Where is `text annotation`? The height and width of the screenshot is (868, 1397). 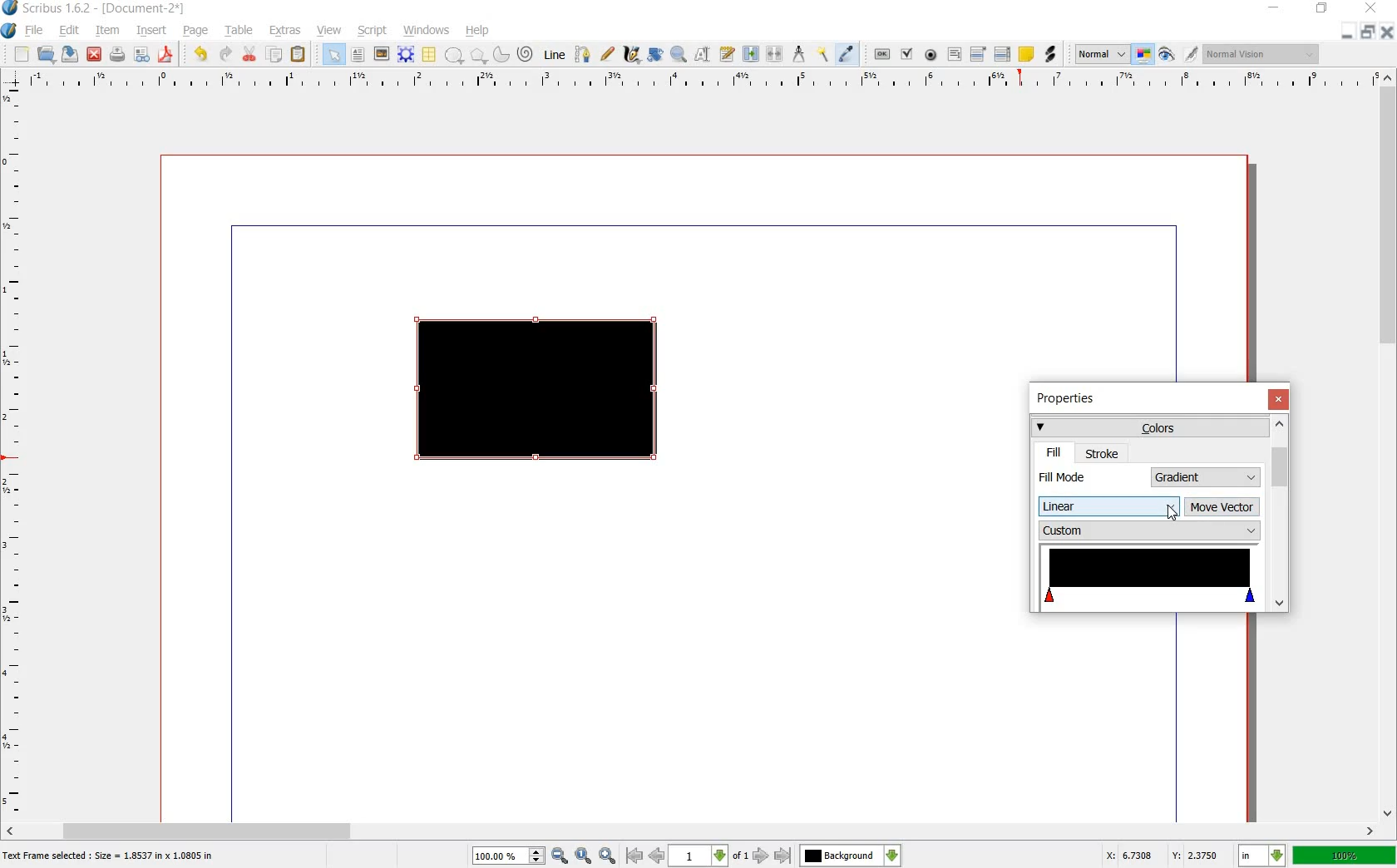
text annotation is located at coordinates (1026, 54).